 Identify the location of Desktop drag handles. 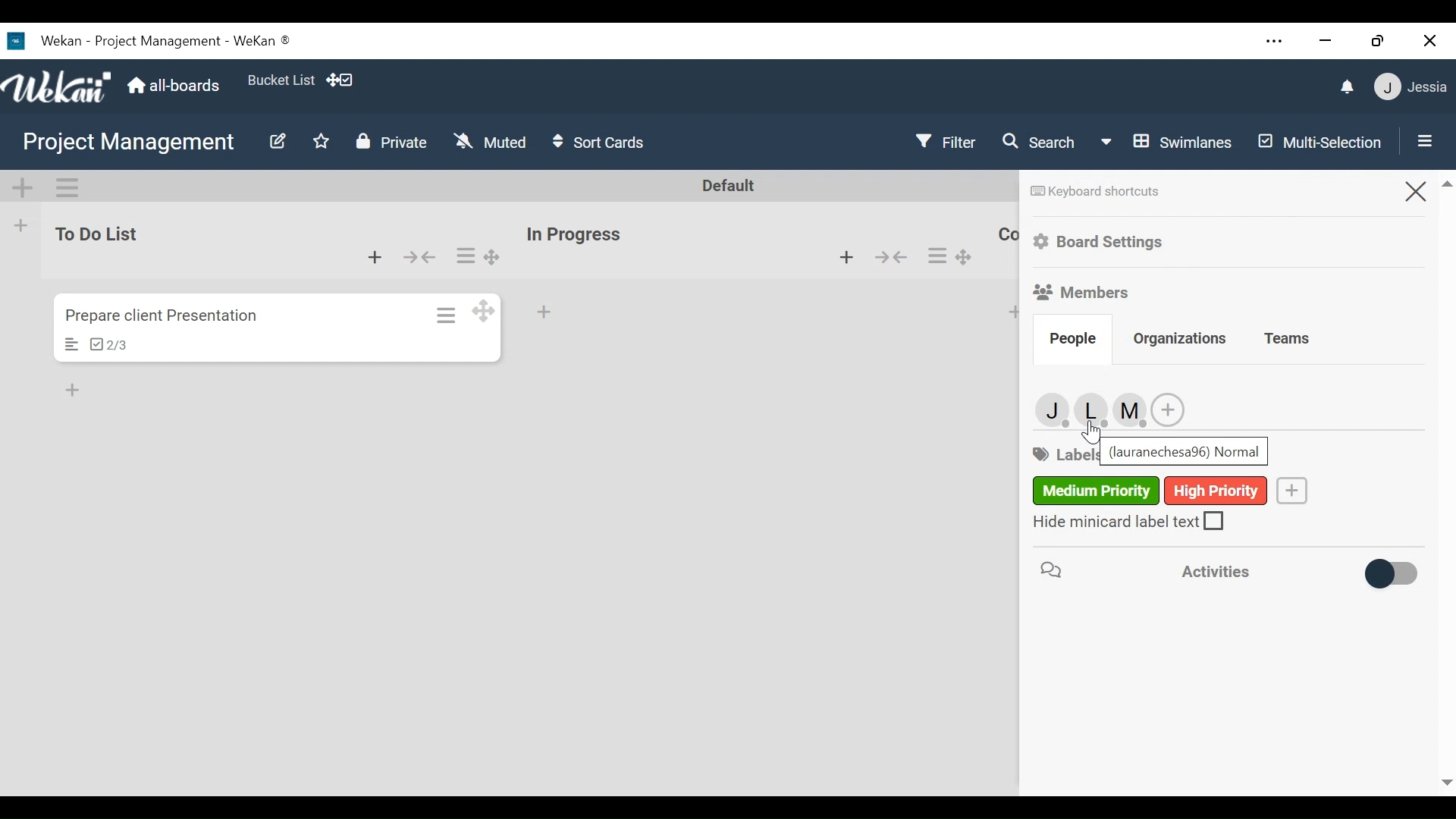
(494, 257).